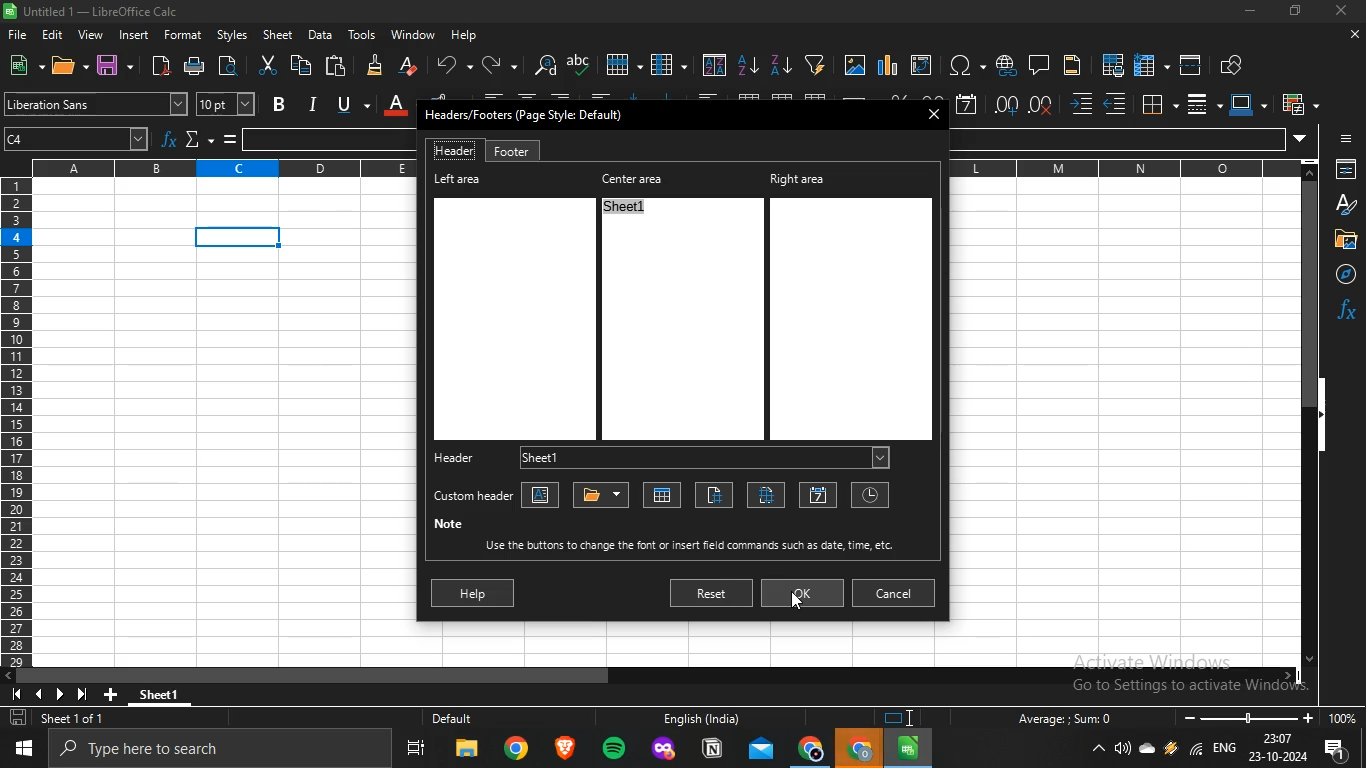  I want to click on sort ascending, so click(749, 64).